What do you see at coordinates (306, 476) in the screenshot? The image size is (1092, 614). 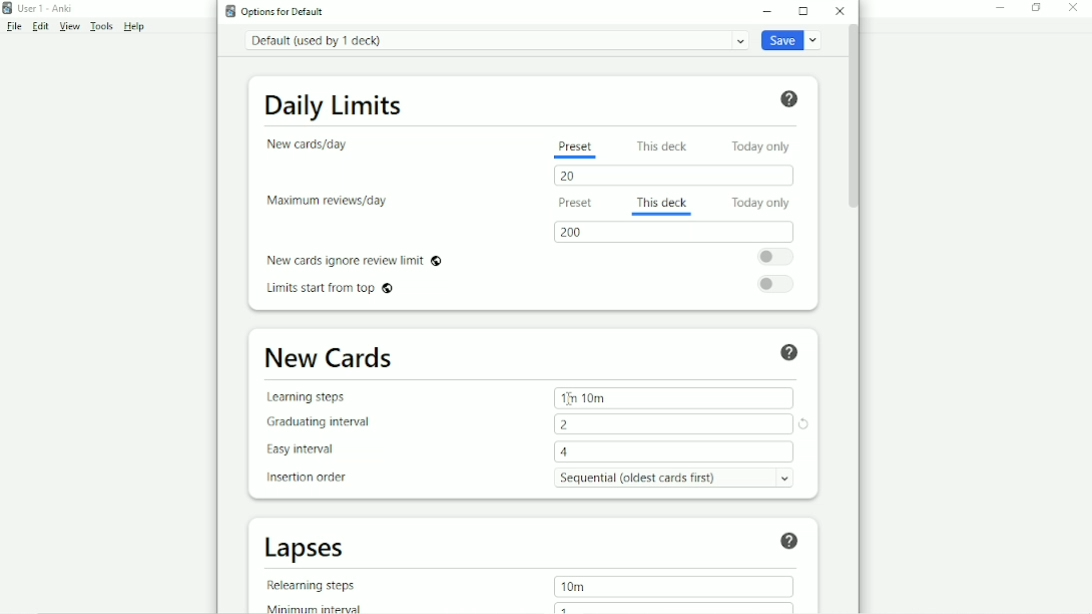 I see `Insertion order` at bounding box center [306, 476].